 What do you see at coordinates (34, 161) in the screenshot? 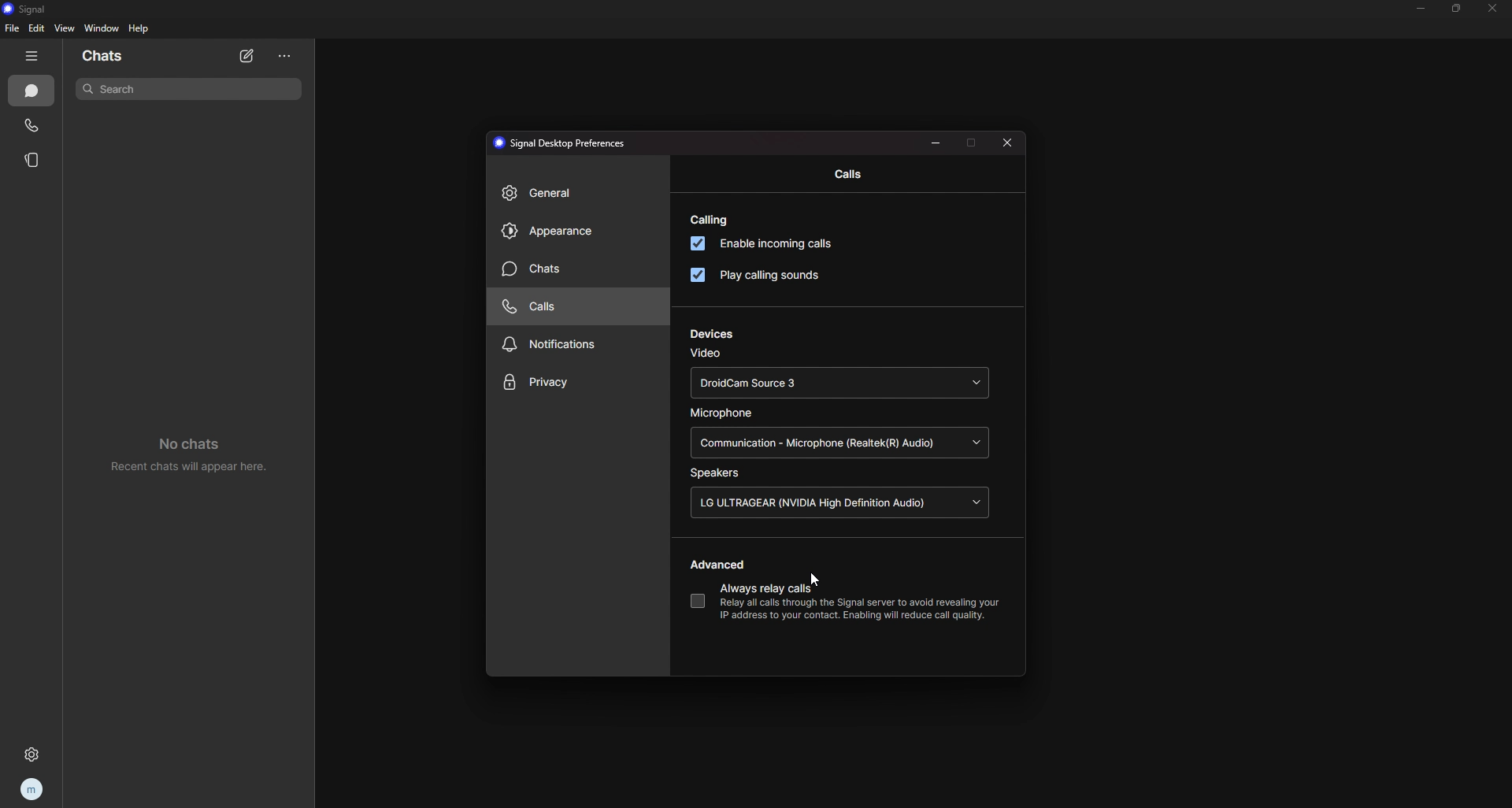
I see `stories` at bounding box center [34, 161].